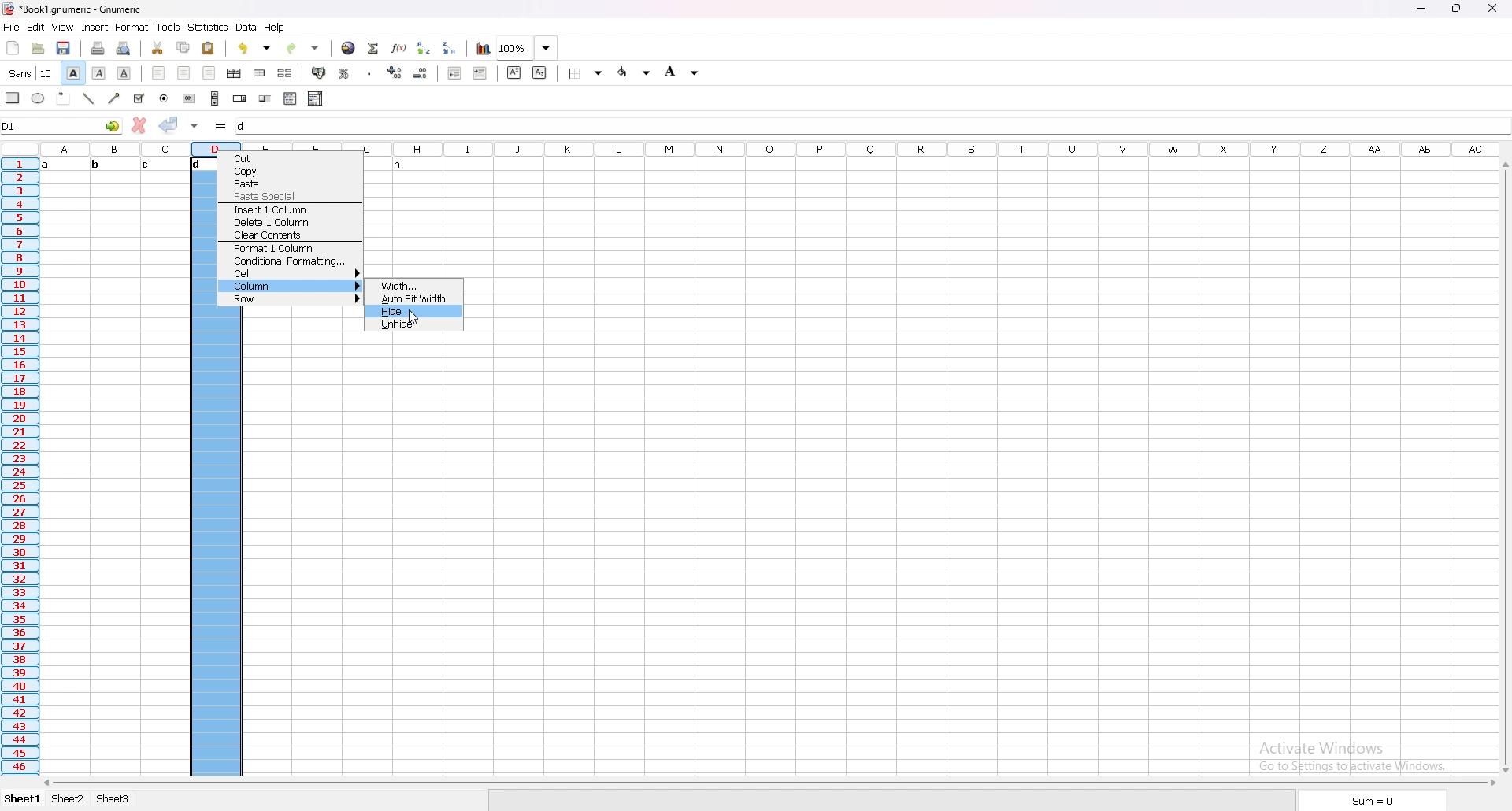 The height and width of the screenshot is (811, 1512). Describe the element at coordinates (90, 98) in the screenshot. I see `line` at that location.